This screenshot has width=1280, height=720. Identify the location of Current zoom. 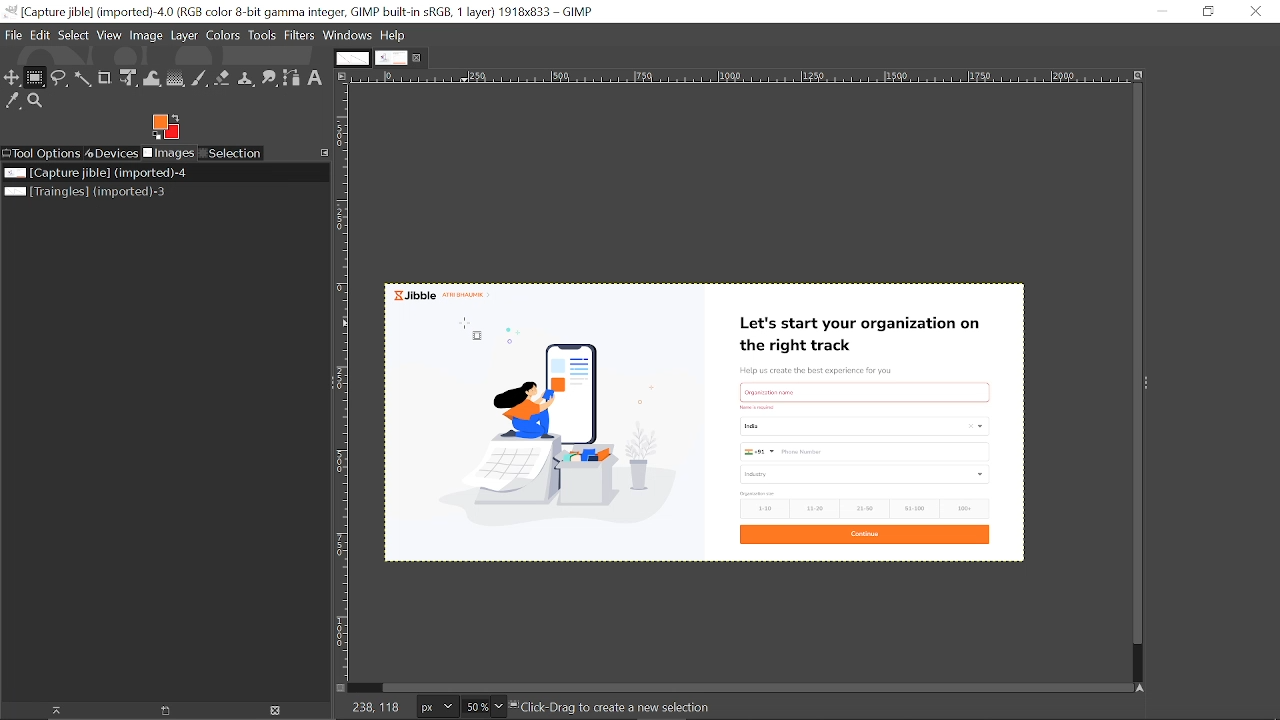
(477, 707).